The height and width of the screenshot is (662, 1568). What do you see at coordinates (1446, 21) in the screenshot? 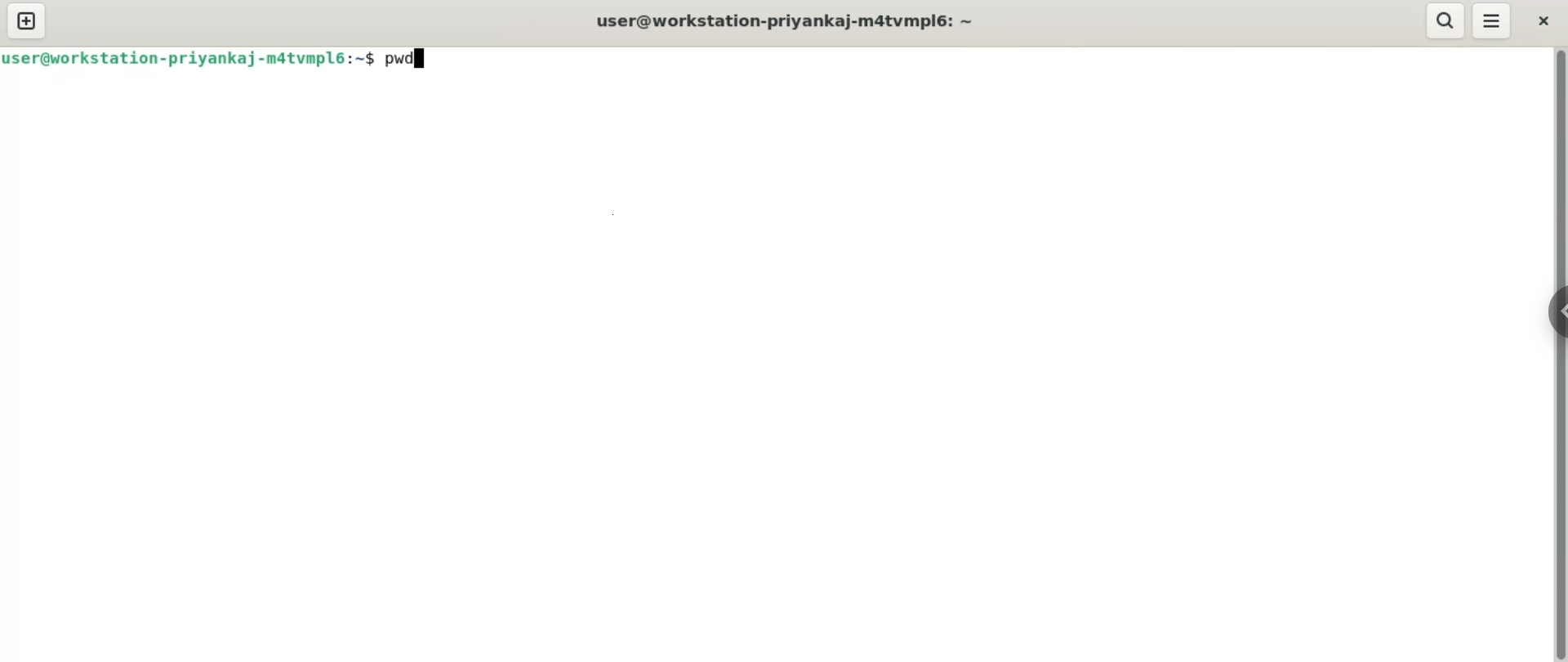
I see `search` at bounding box center [1446, 21].